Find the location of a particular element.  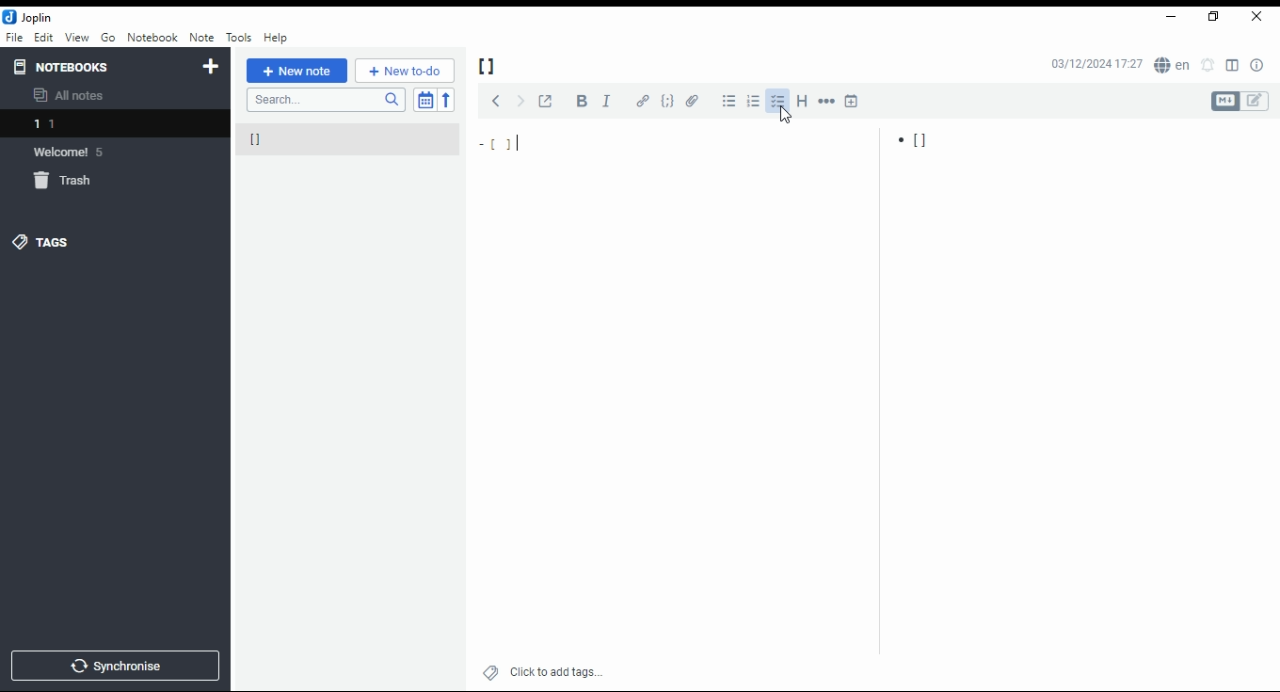

icon is located at coordinates (28, 16).